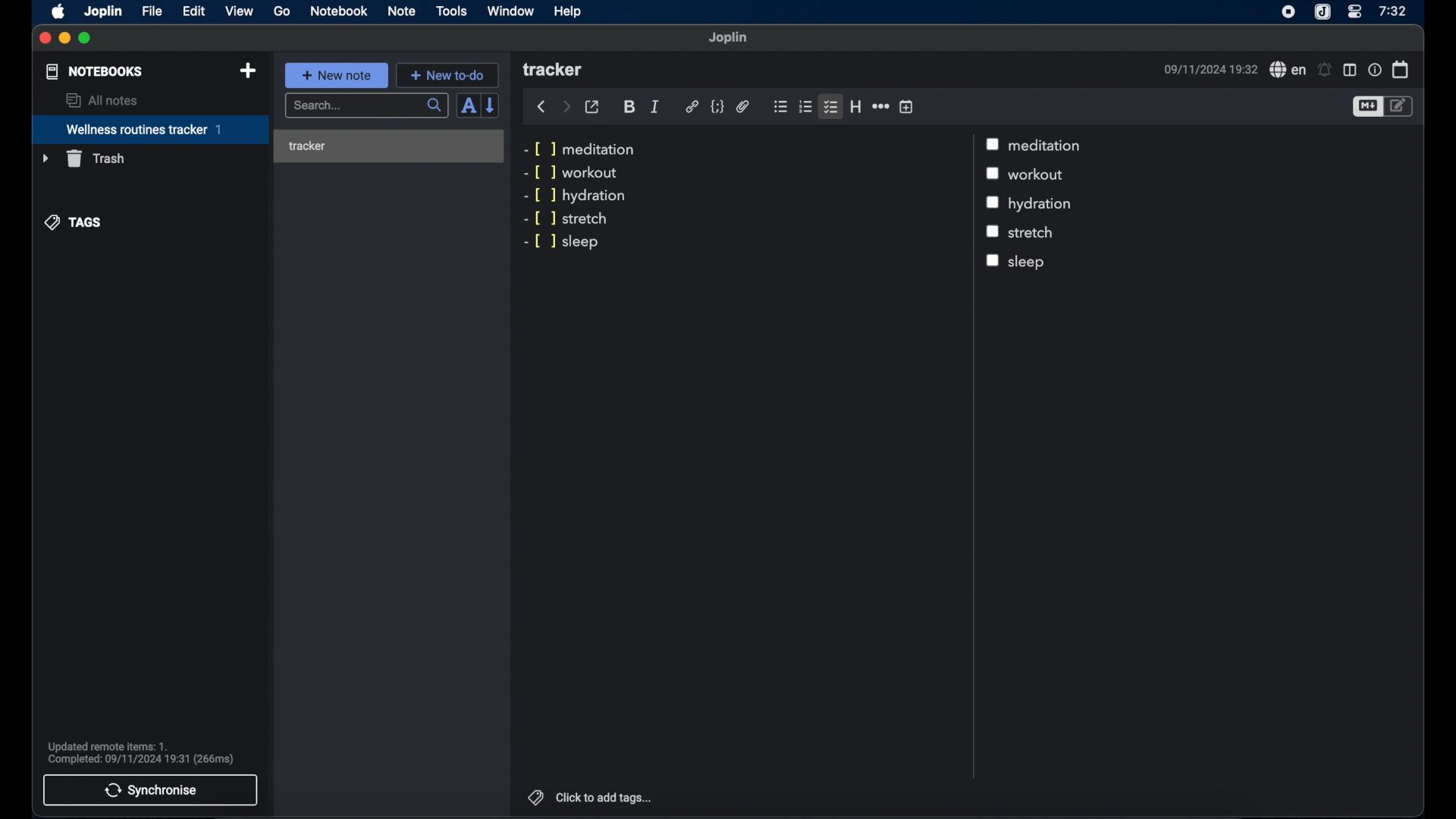  Describe the element at coordinates (566, 241) in the screenshot. I see `- [ ] sleep` at that location.